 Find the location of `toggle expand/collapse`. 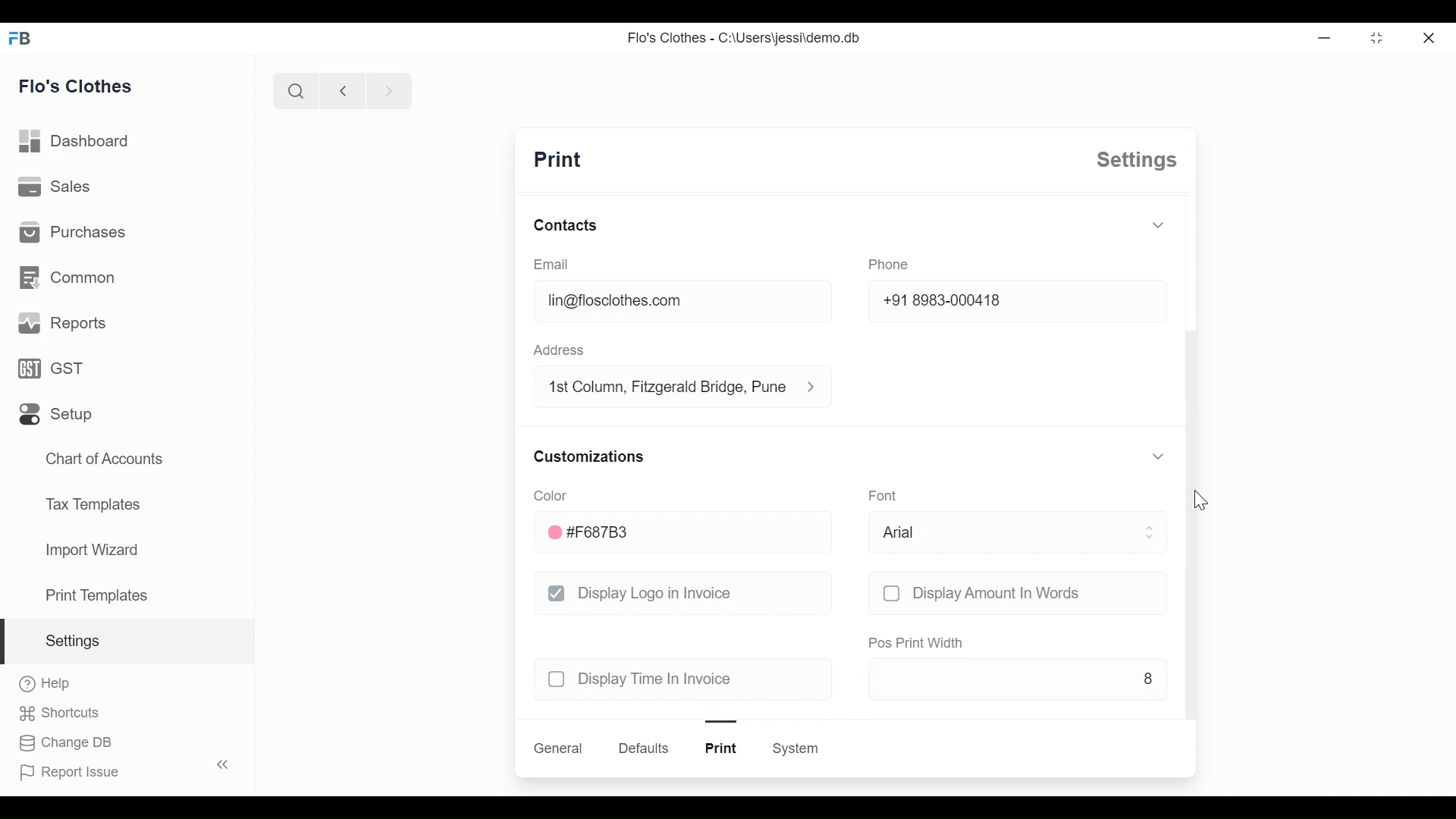

toggle expand/collapse is located at coordinates (1156, 456).